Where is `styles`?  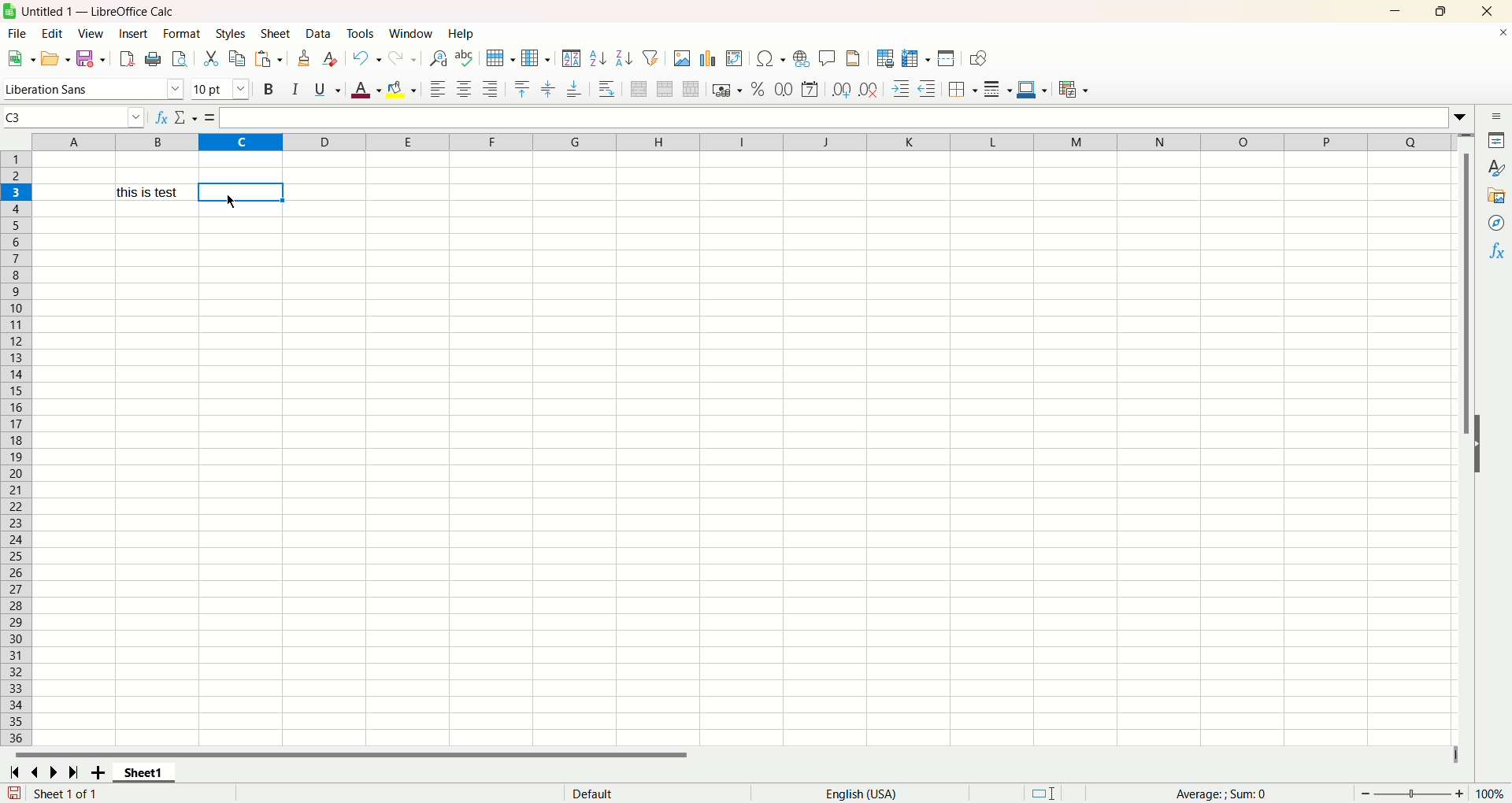 styles is located at coordinates (1496, 168).